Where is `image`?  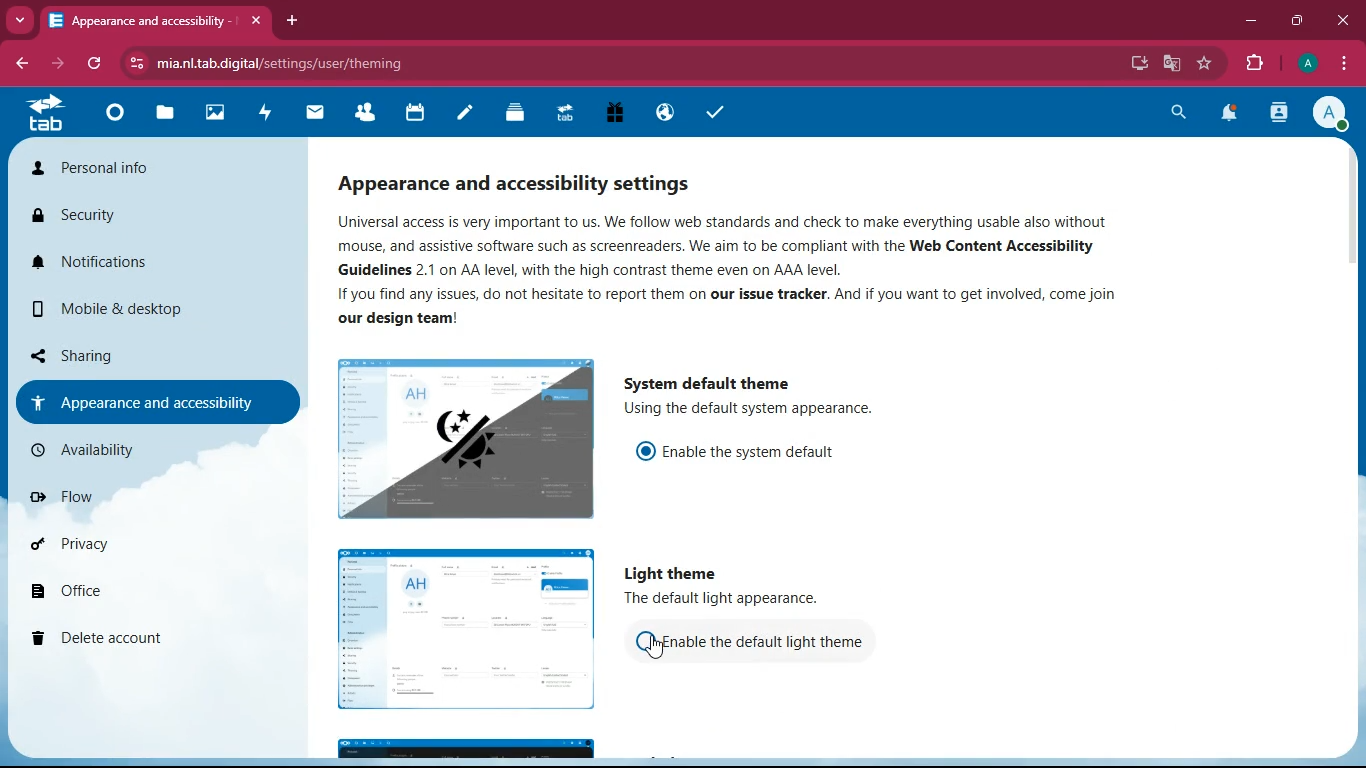
image is located at coordinates (468, 746).